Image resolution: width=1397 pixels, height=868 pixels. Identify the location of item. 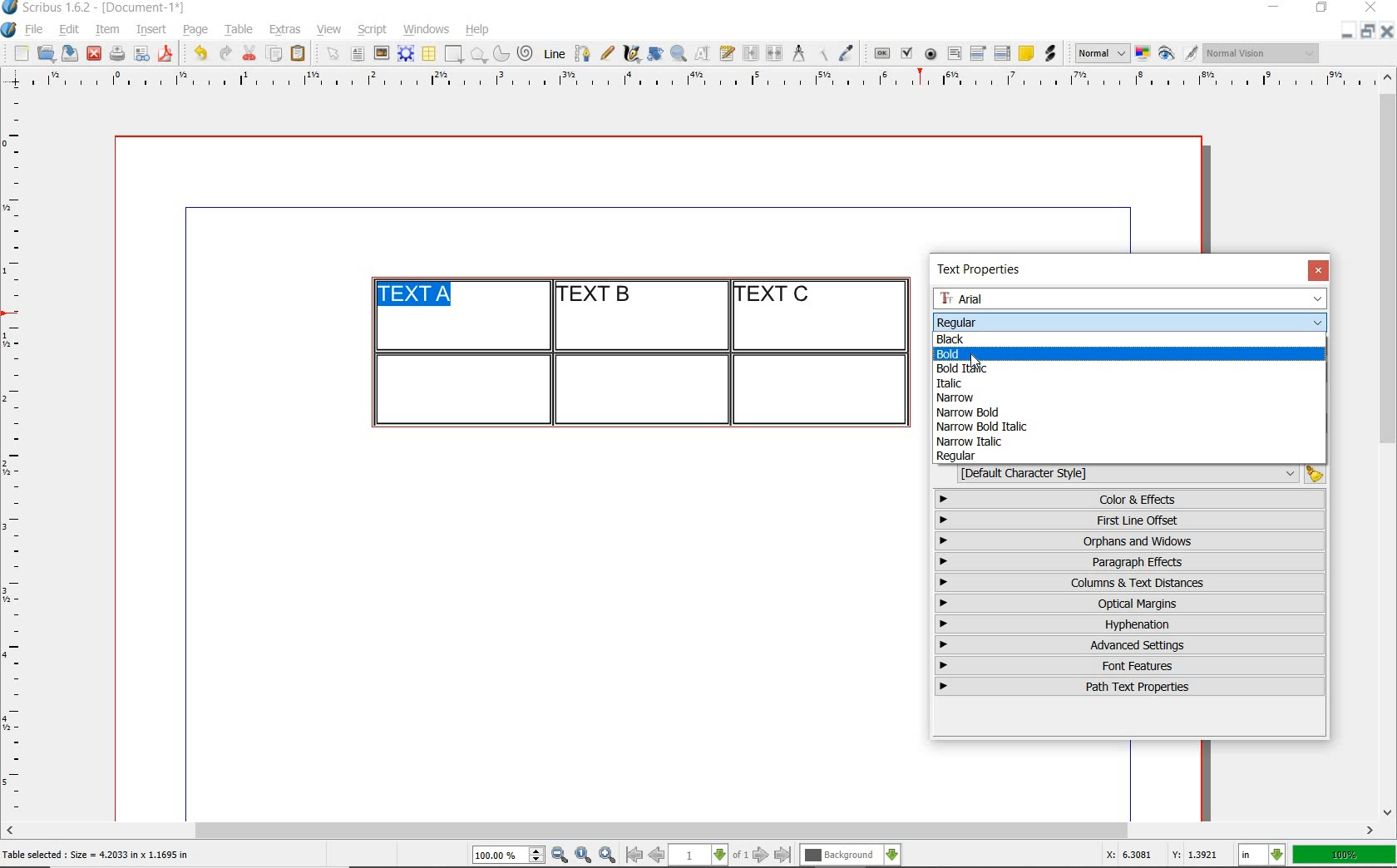
(106, 30).